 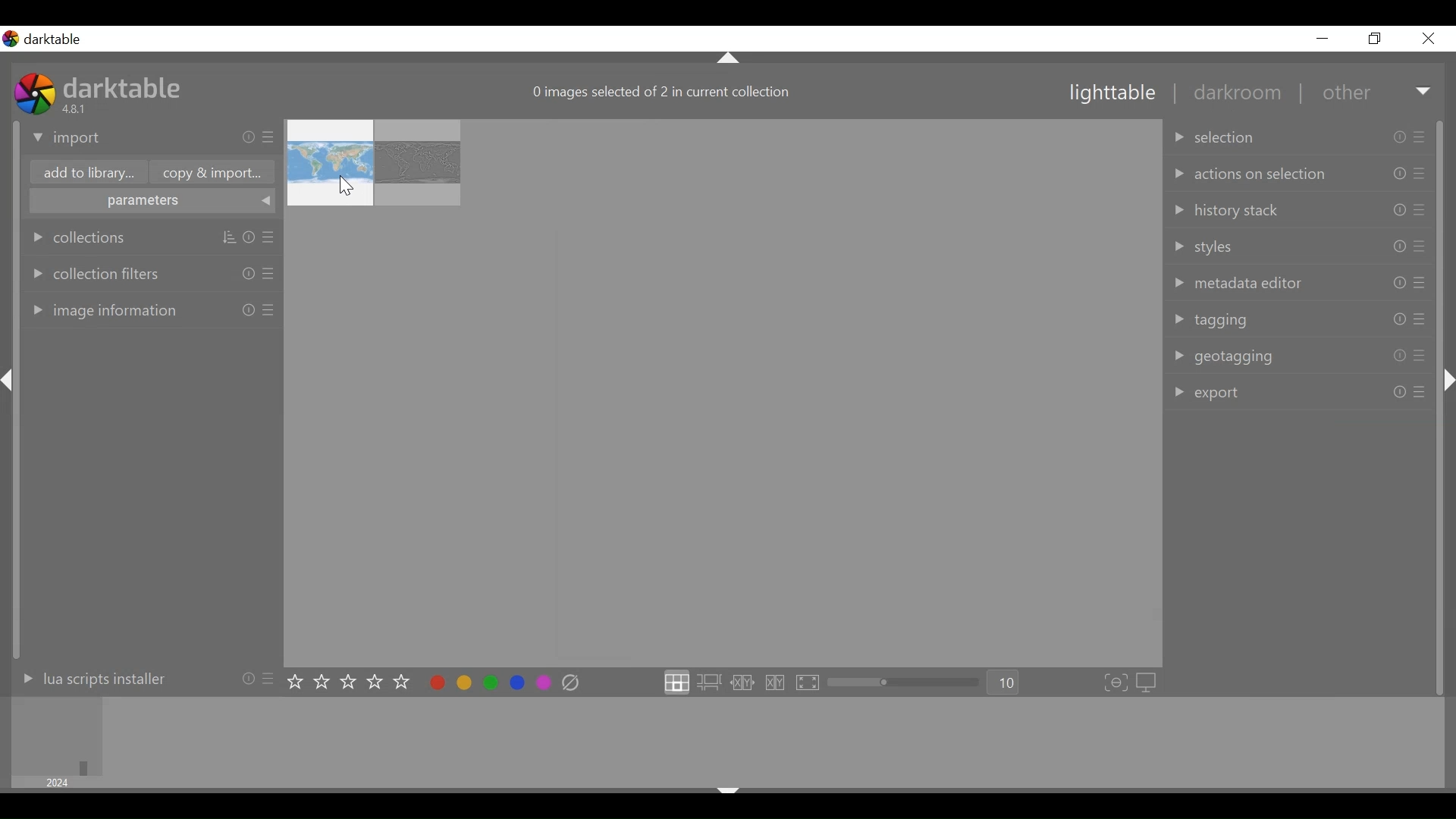 I want to click on add to  library, so click(x=89, y=173).